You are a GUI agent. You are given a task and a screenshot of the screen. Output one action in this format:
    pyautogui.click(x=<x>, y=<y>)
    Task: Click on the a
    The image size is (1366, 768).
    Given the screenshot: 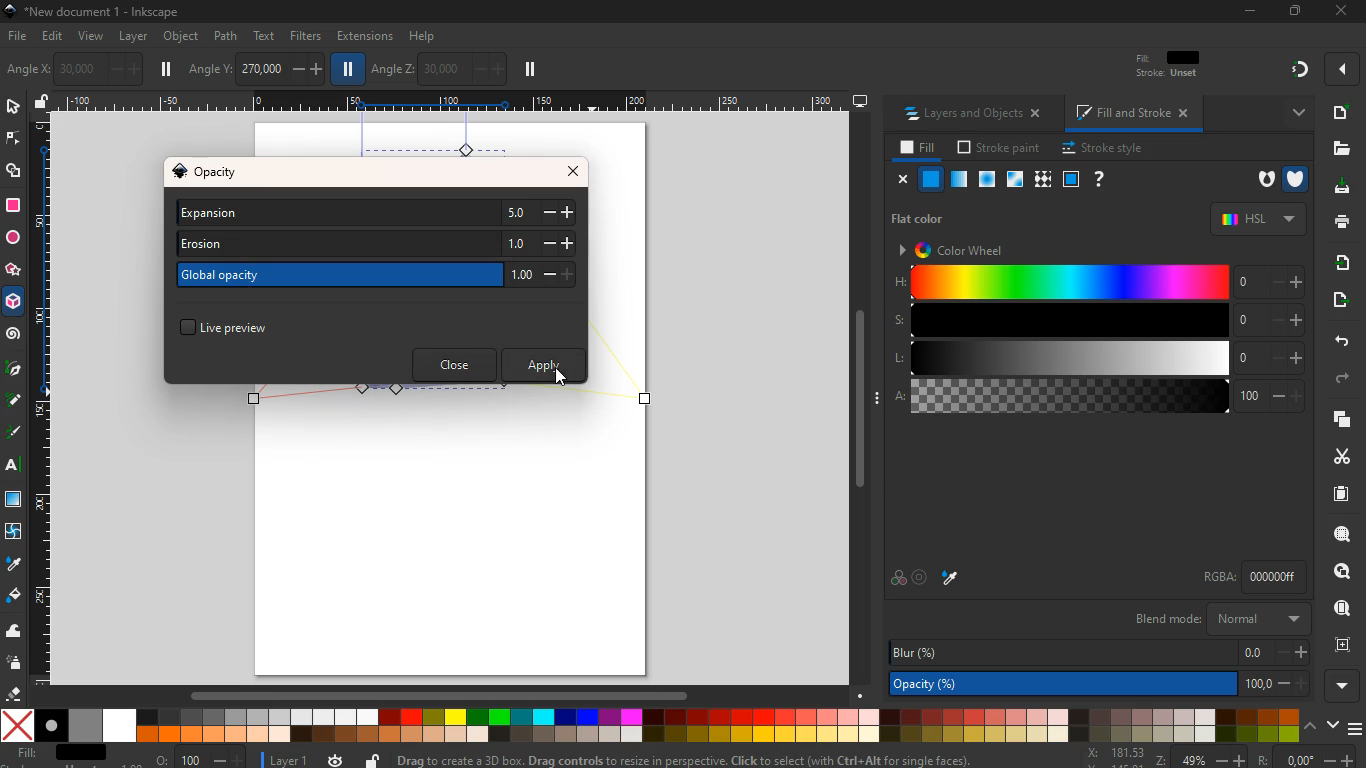 What is the action you would take?
    pyautogui.click(x=1098, y=399)
    